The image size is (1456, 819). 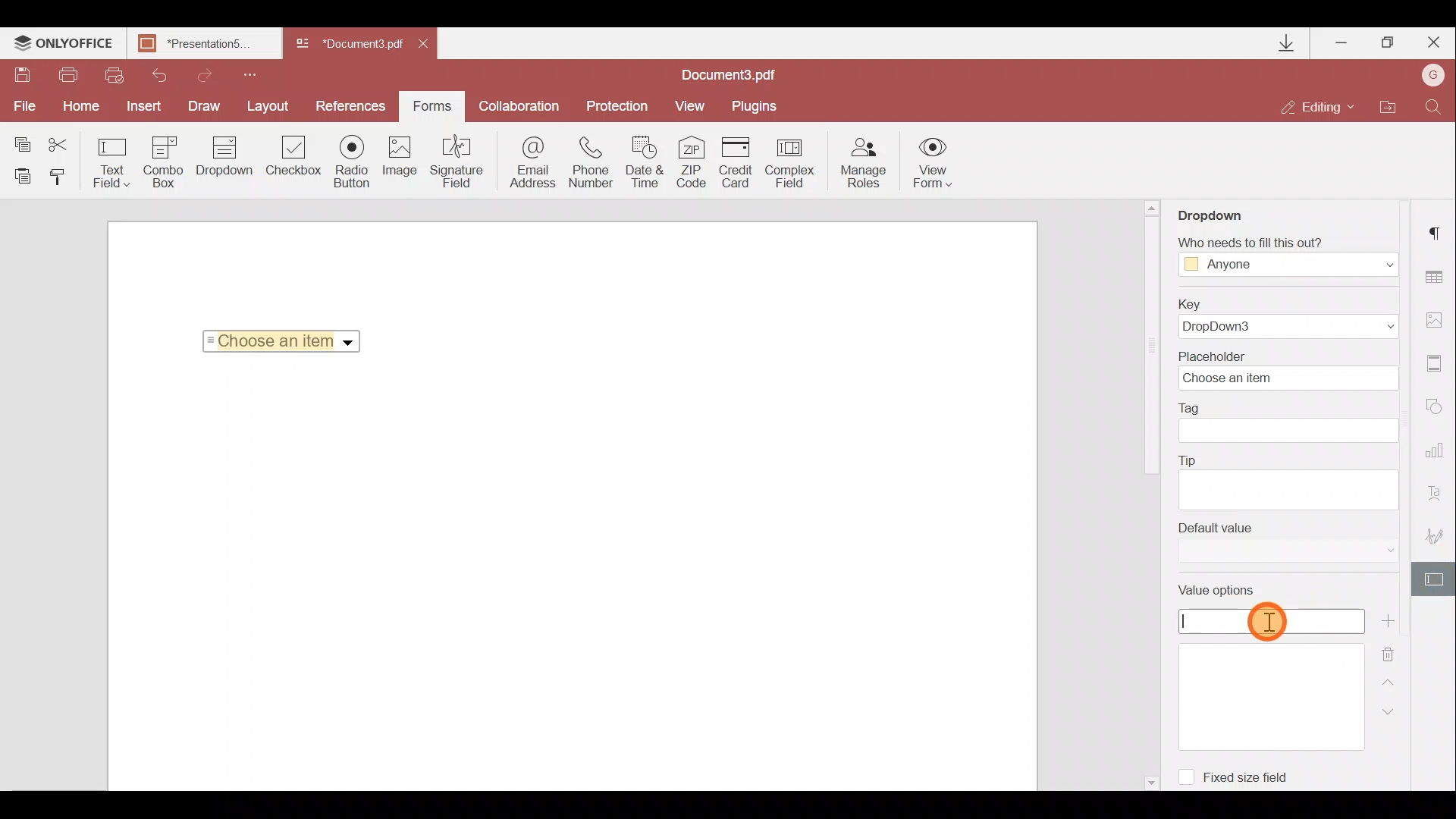 What do you see at coordinates (613, 108) in the screenshot?
I see `Protection` at bounding box center [613, 108].